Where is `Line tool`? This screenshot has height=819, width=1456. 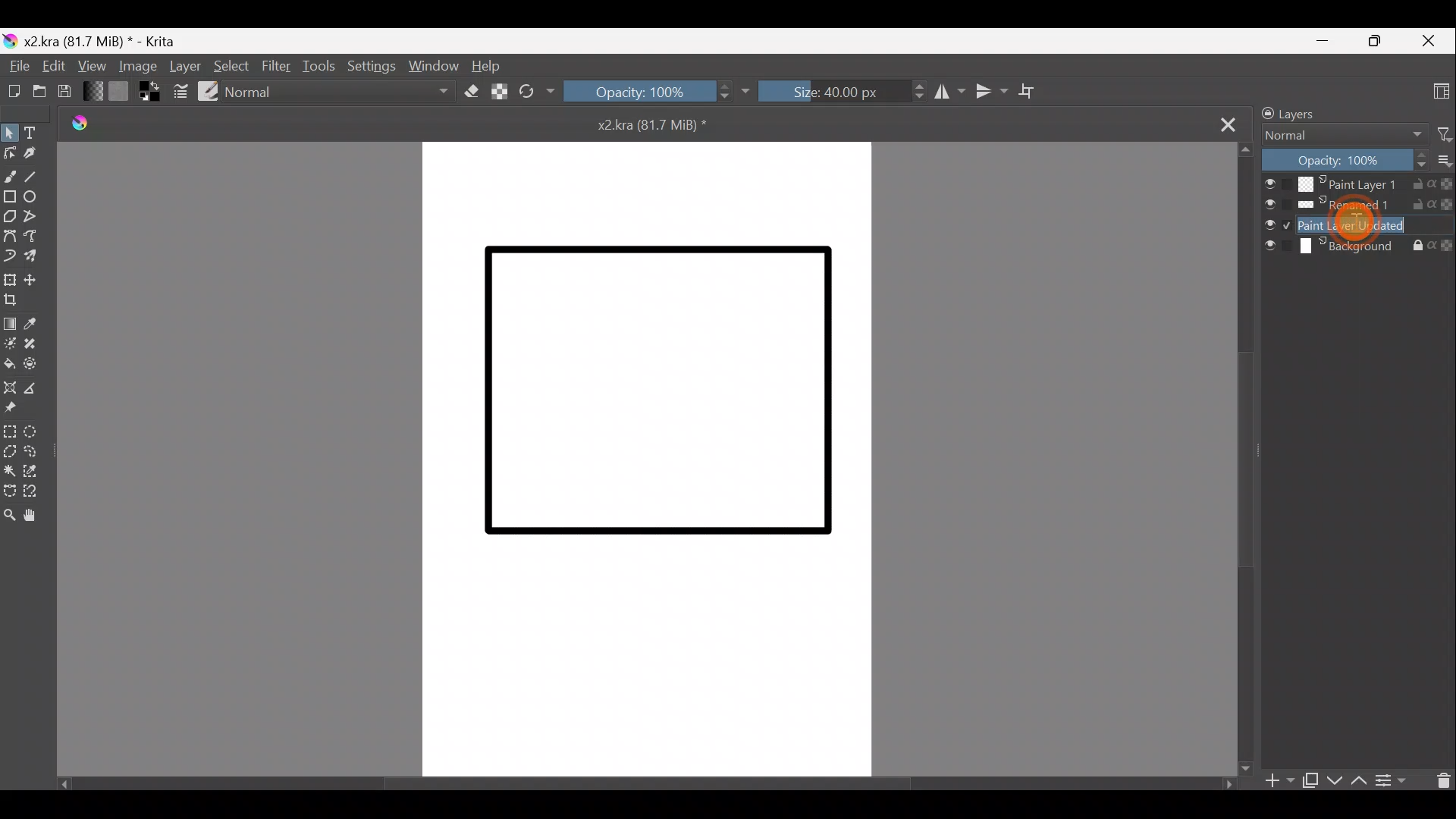 Line tool is located at coordinates (36, 174).